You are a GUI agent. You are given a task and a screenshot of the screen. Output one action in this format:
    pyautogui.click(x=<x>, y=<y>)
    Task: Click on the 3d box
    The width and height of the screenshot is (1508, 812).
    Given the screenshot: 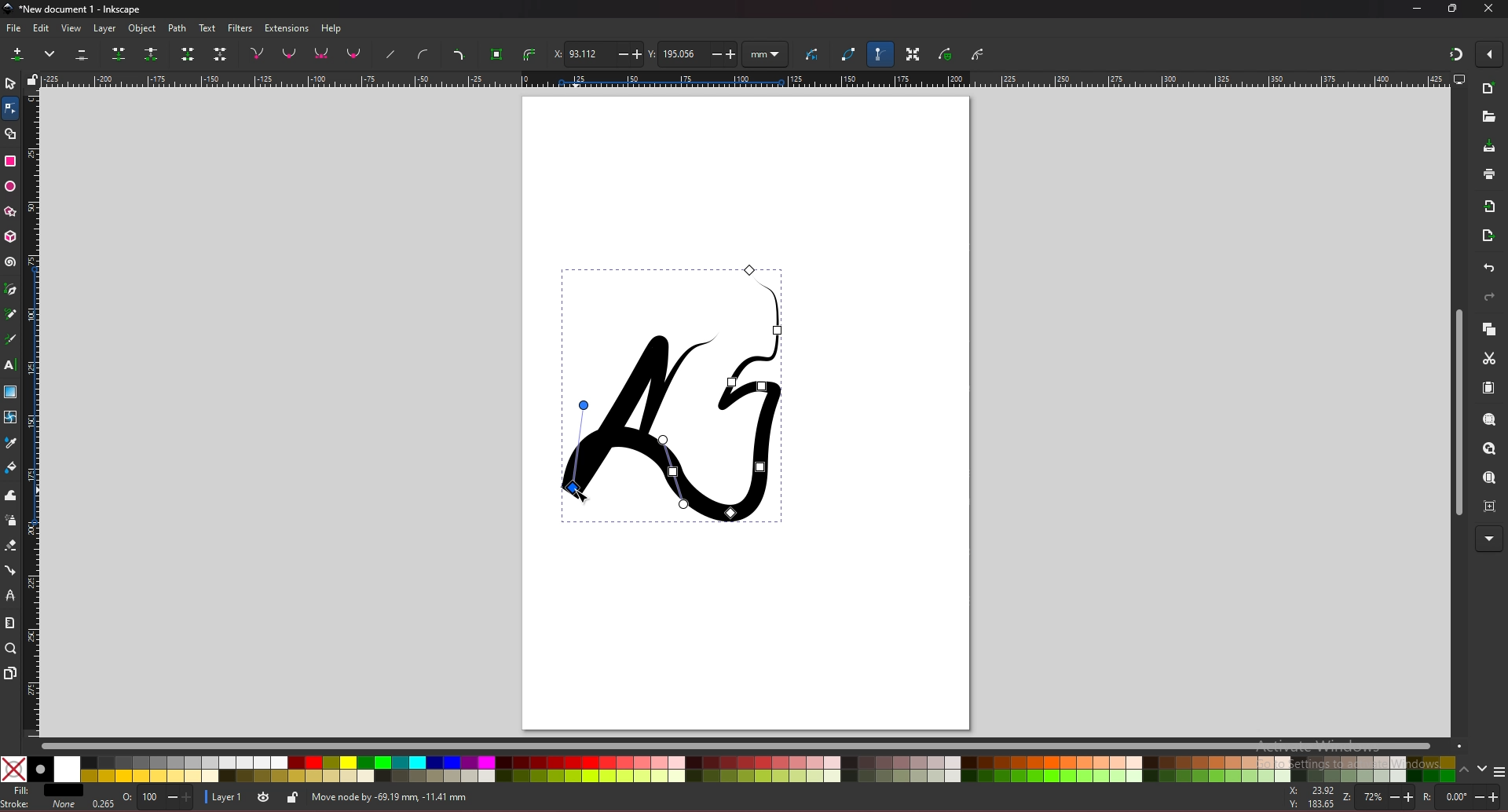 What is the action you would take?
    pyautogui.click(x=11, y=237)
    